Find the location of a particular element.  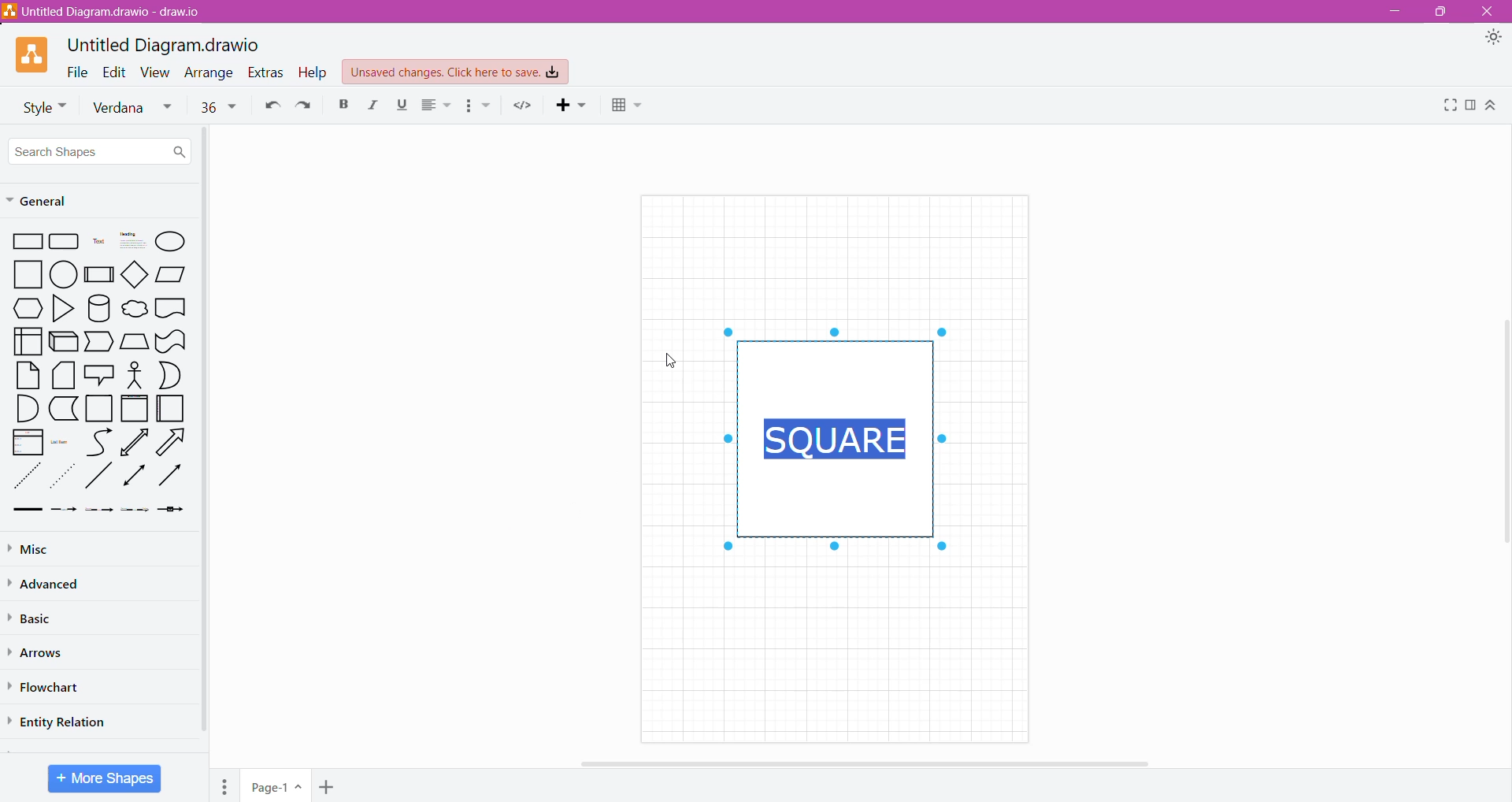

Untitled Diagram.drawio is located at coordinates (164, 45).